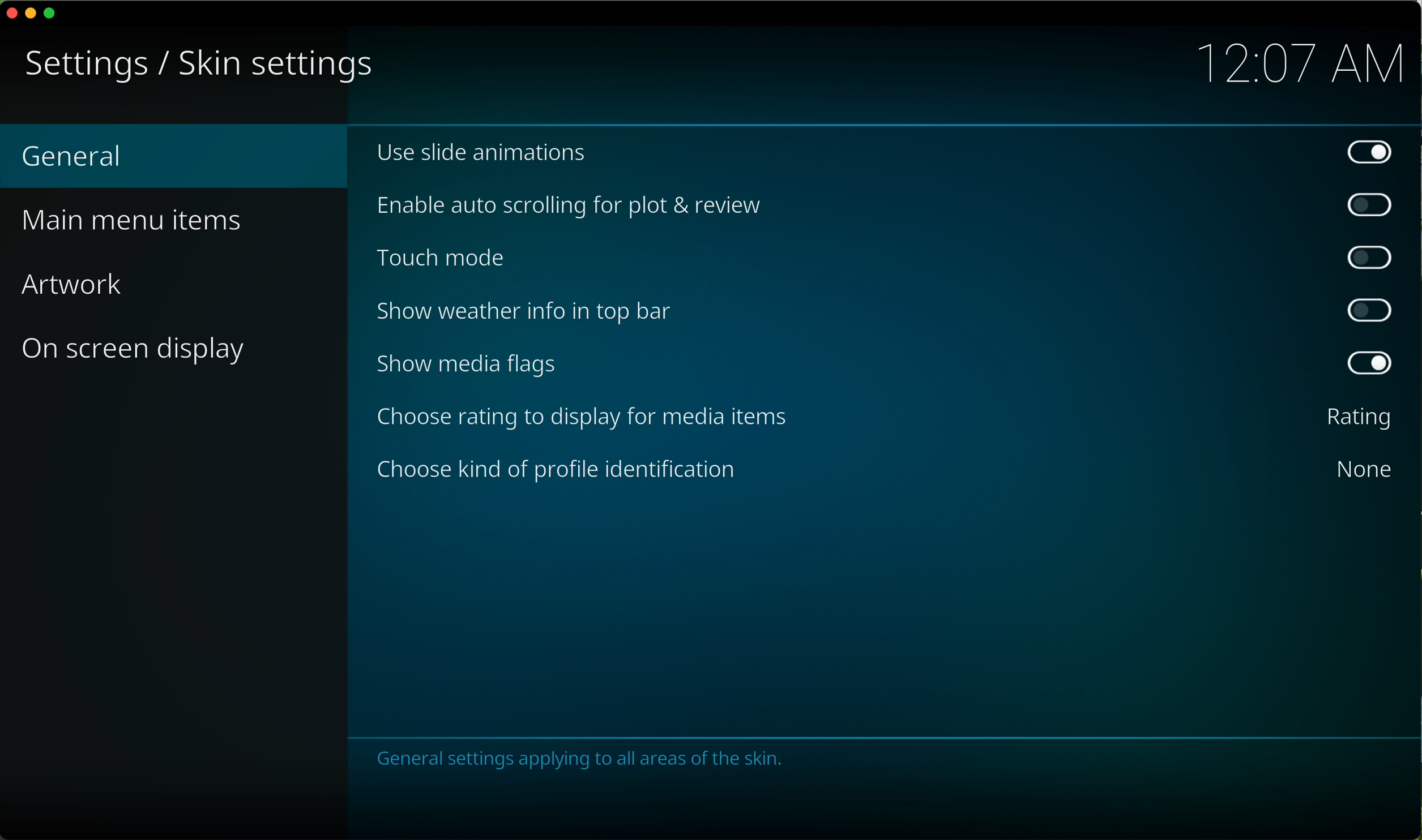 This screenshot has width=1422, height=840. What do you see at coordinates (882, 206) in the screenshot?
I see `enable auto scrolling for plot and review` at bounding box center [882, 206].